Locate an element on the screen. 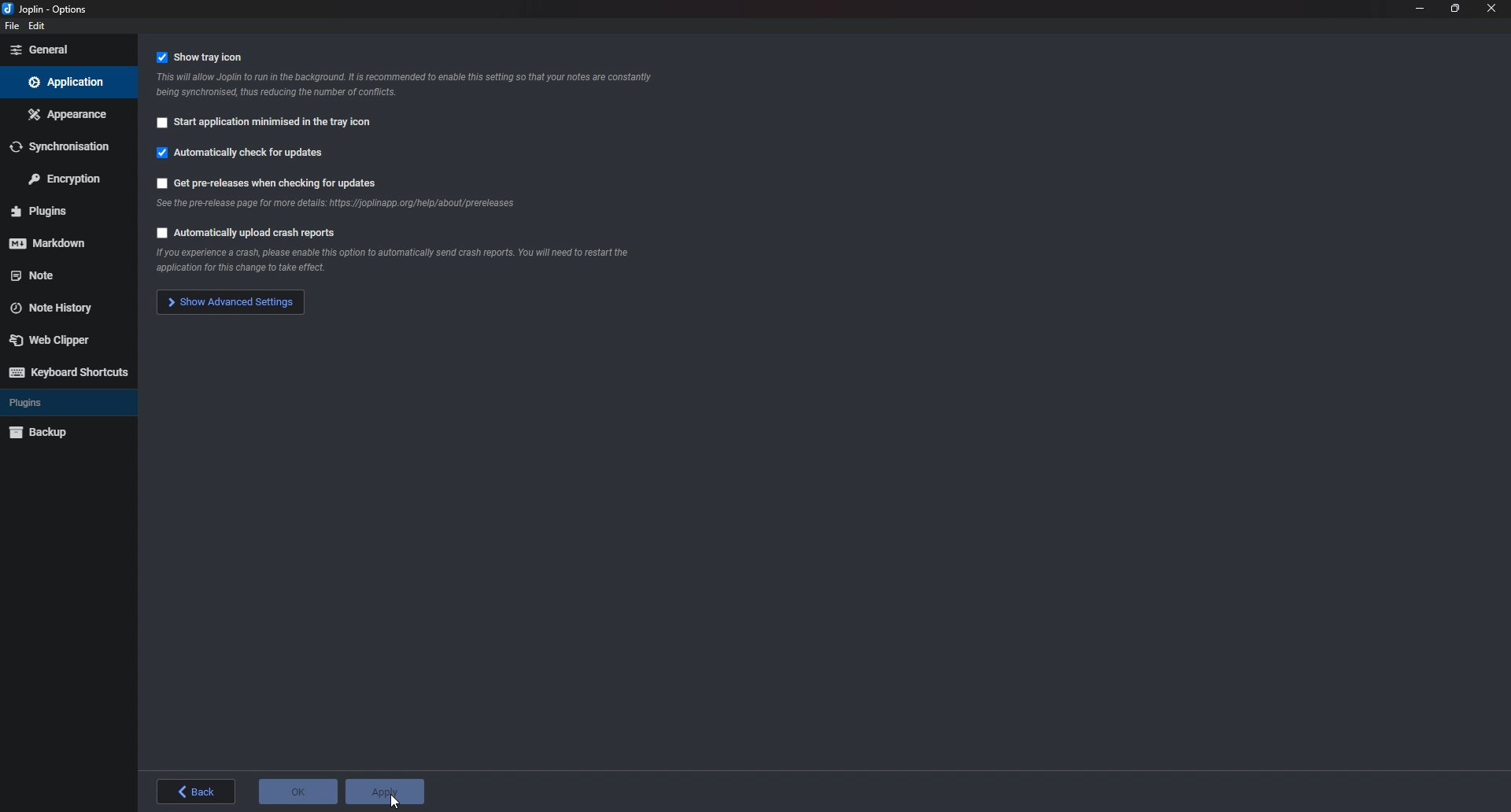  resize is located at coordinates (1456, 9).